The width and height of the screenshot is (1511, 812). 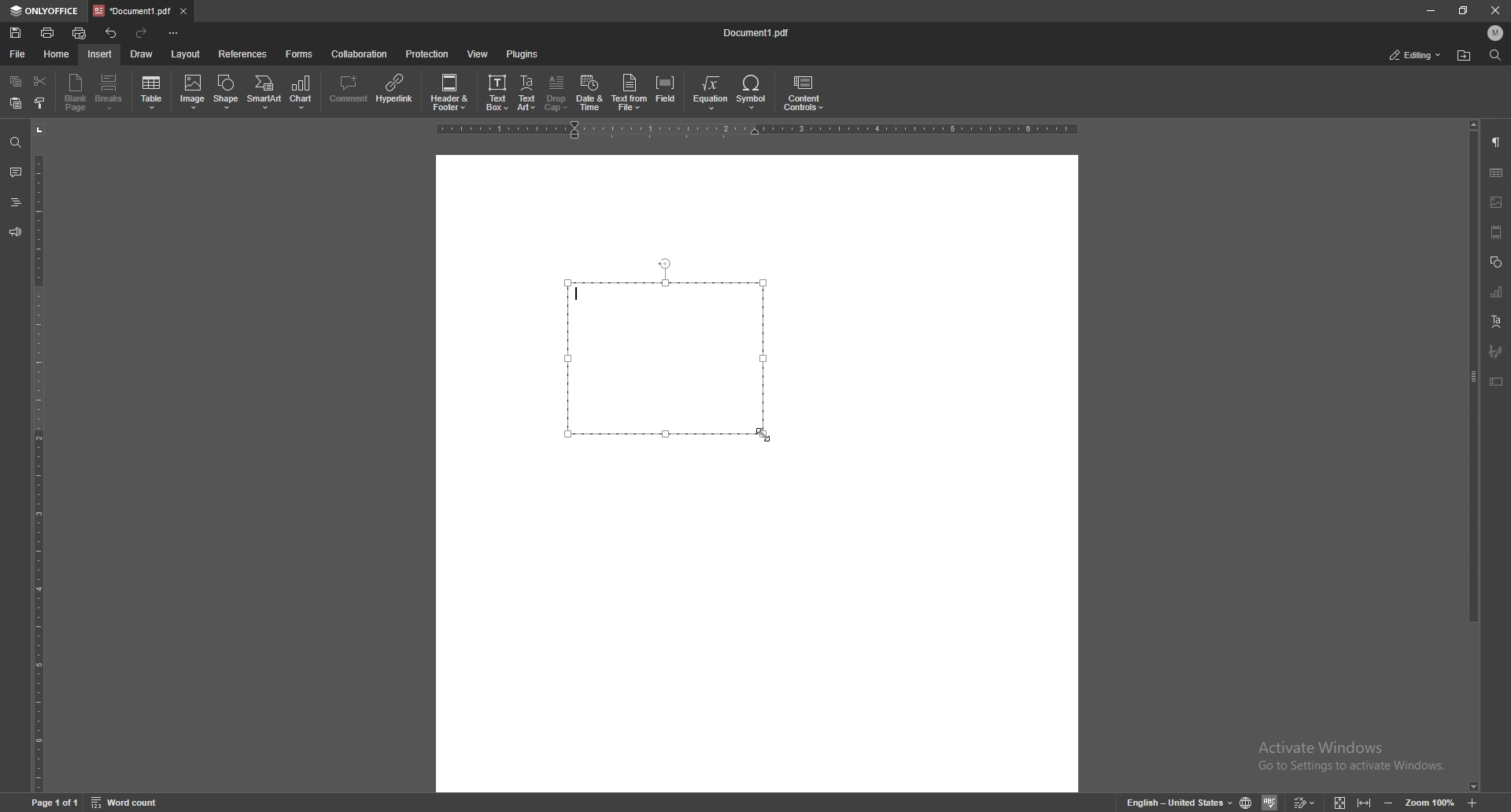 I want to click on text from file, so click(x=630, y=91).